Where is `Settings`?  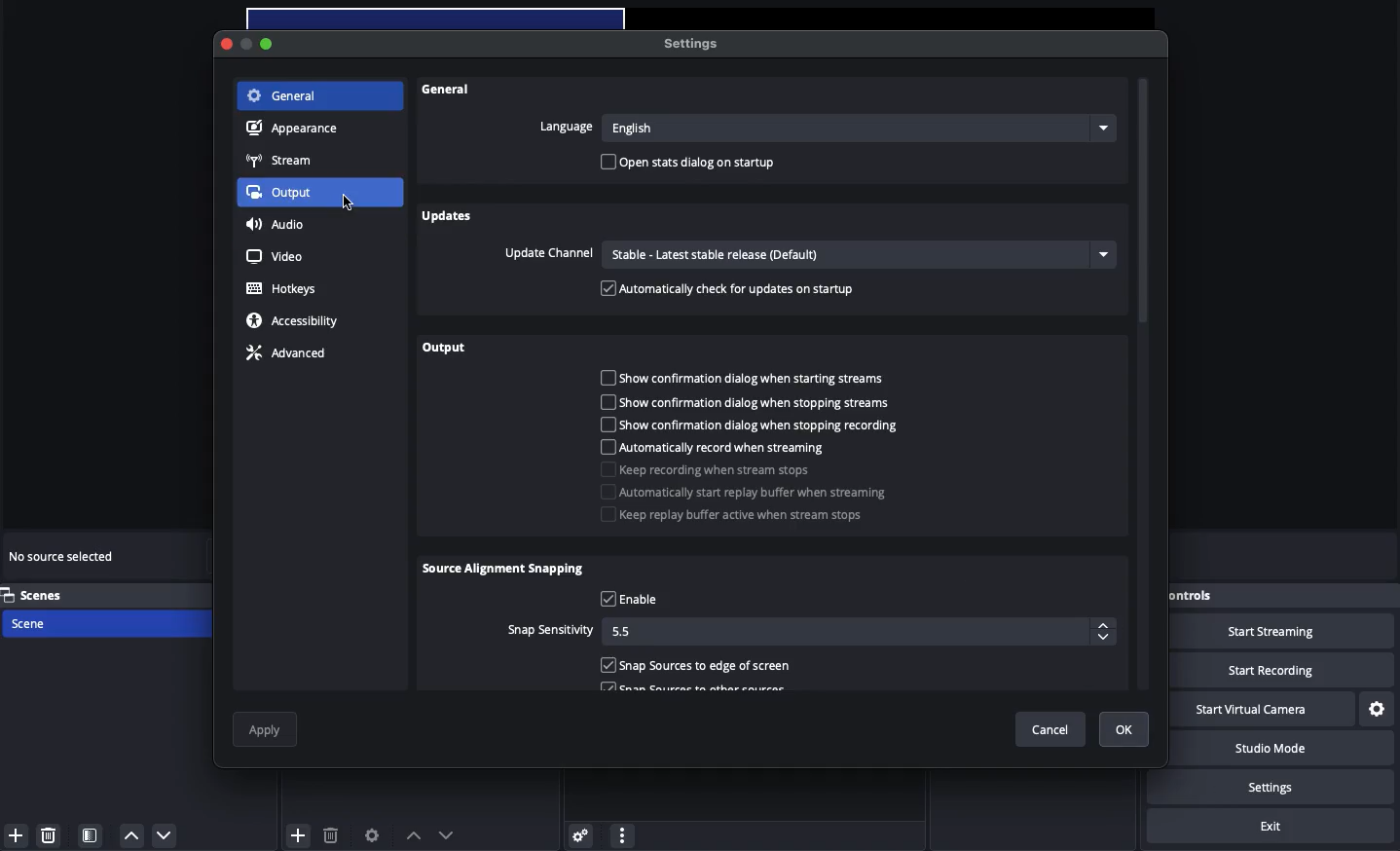
Settings is located at coordinates (694, 45).